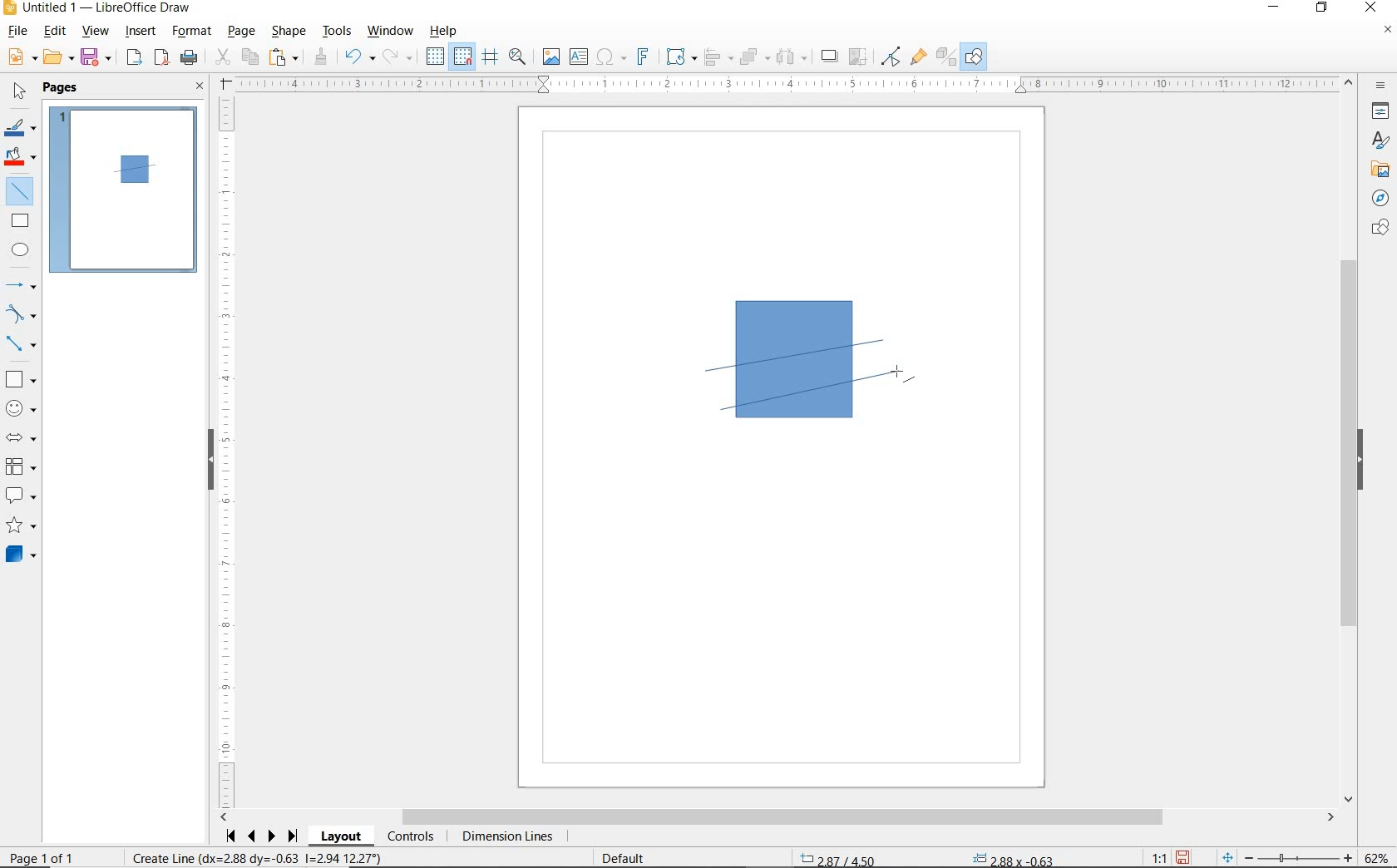 The width and height of the screenshot is (1397, 868). Describe the element at coordinates (811, 357) in the screenshot. I see `LINE` at that location.